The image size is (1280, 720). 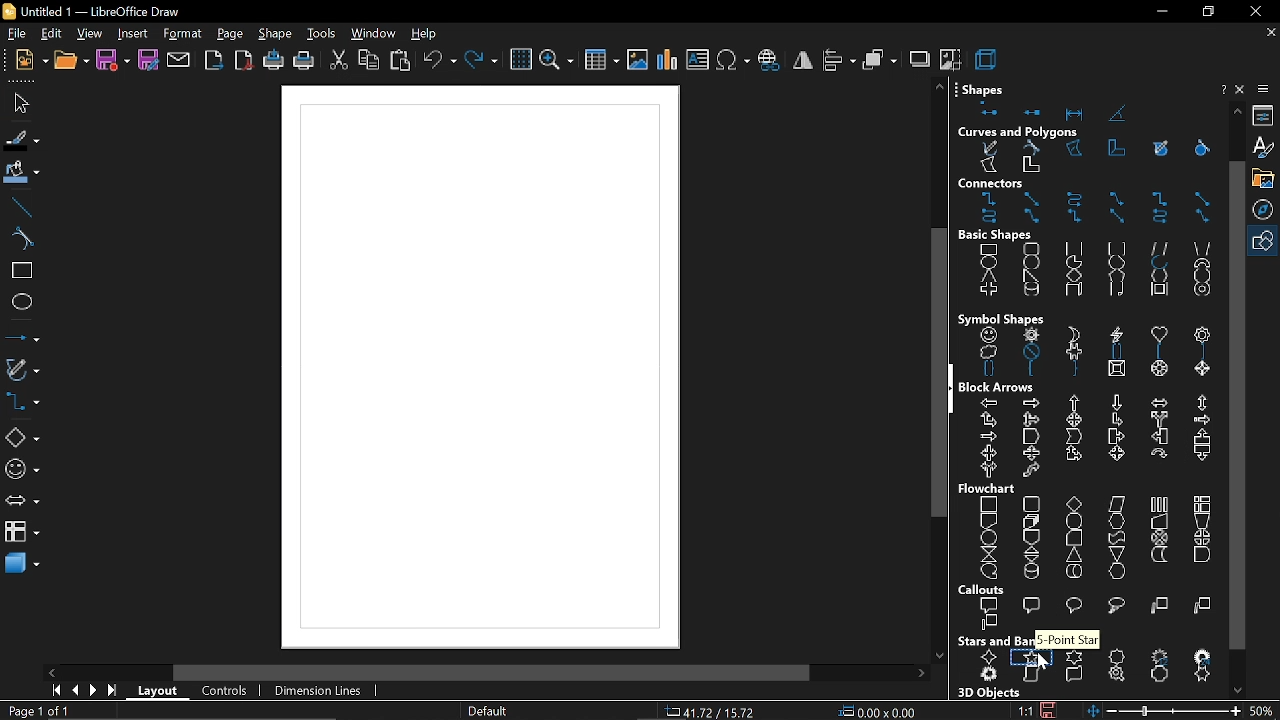 What do you see at coordinates (557, 59) in the screenshot?
I see `zoom` at bounding box center [557, 59].